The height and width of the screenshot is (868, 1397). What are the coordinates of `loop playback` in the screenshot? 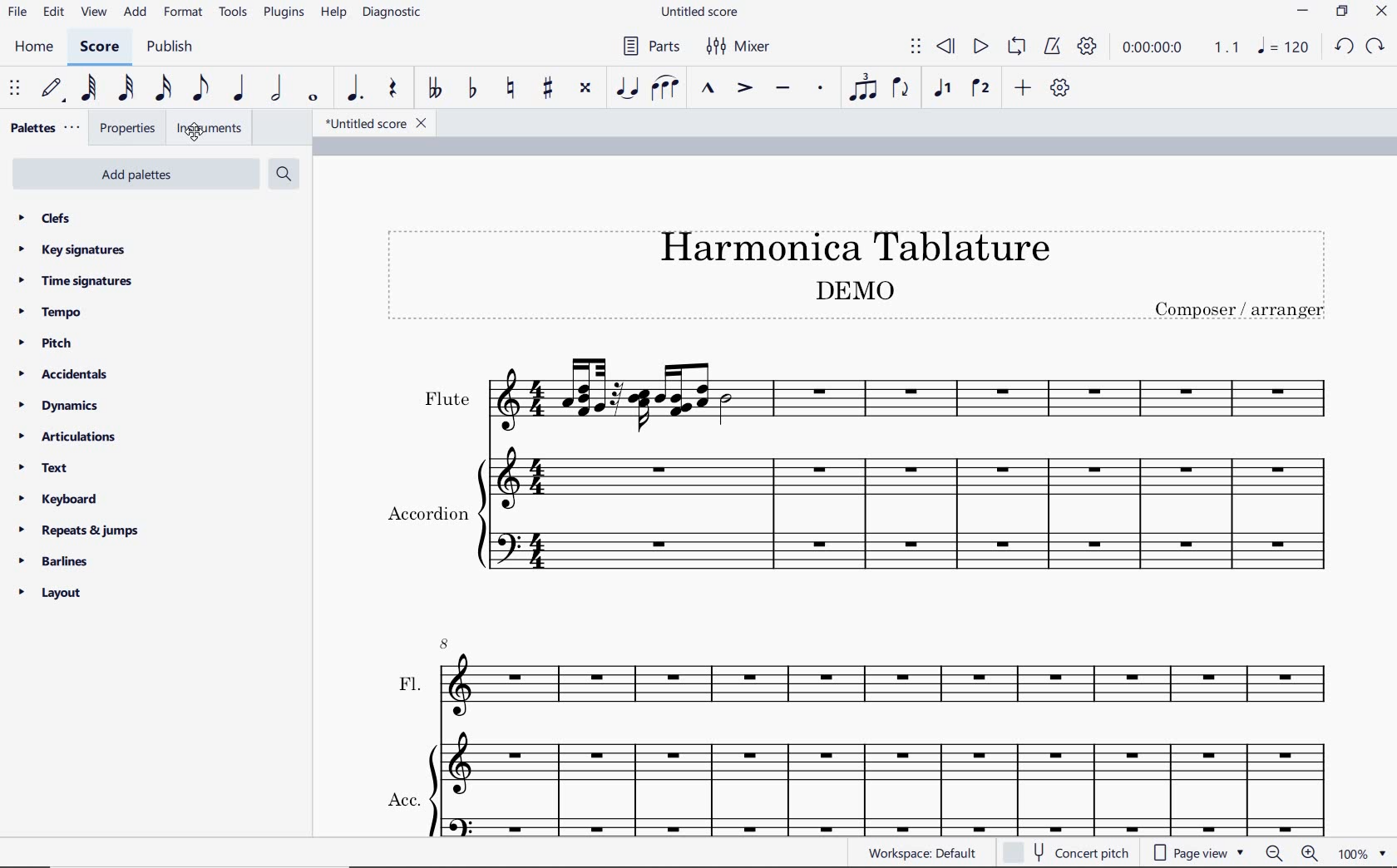 It's located at (1017, 47).